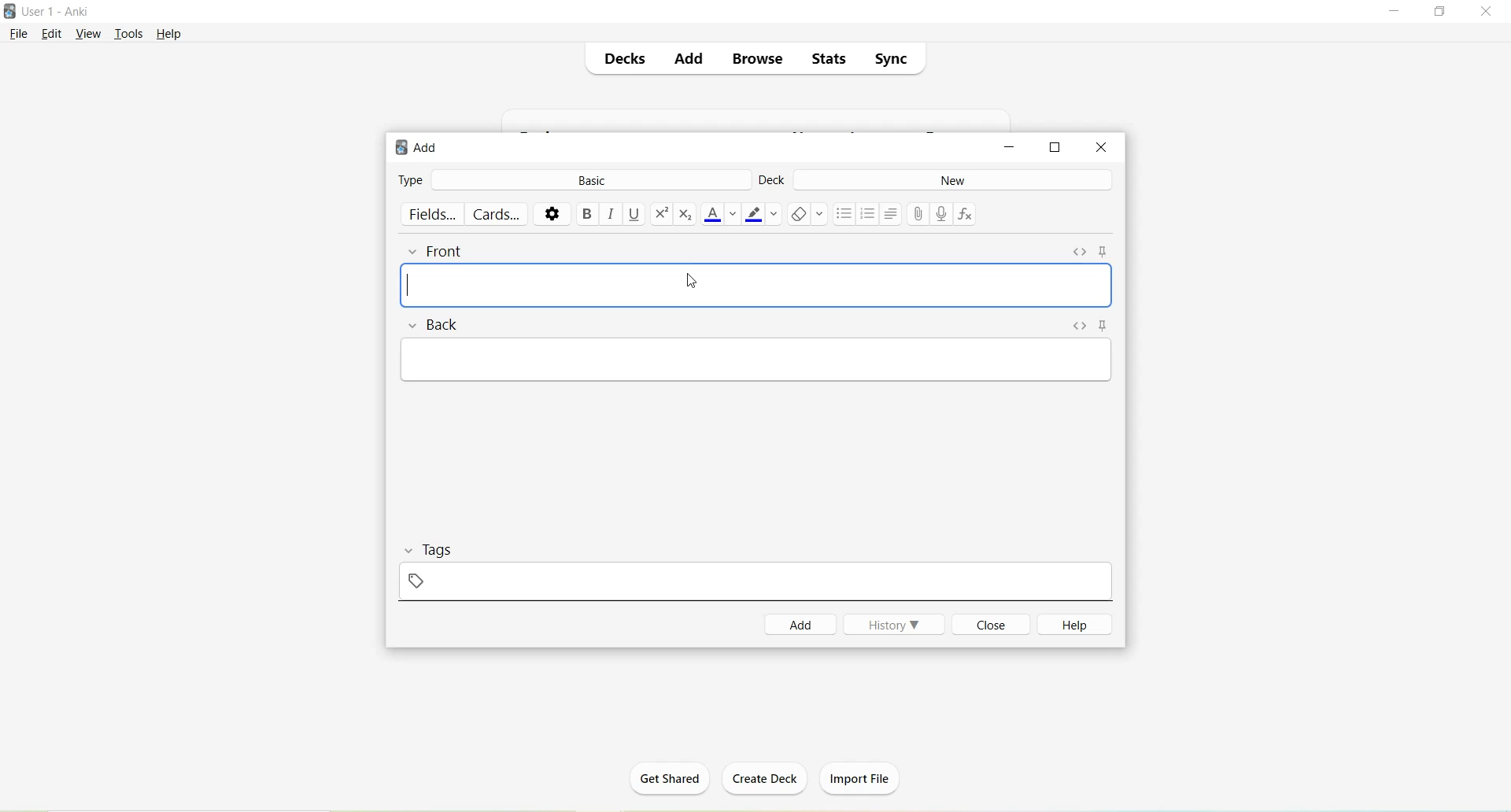 The width and height of the screenshot is (1511, 812). I want to click on Superscript, so click(661, 216).